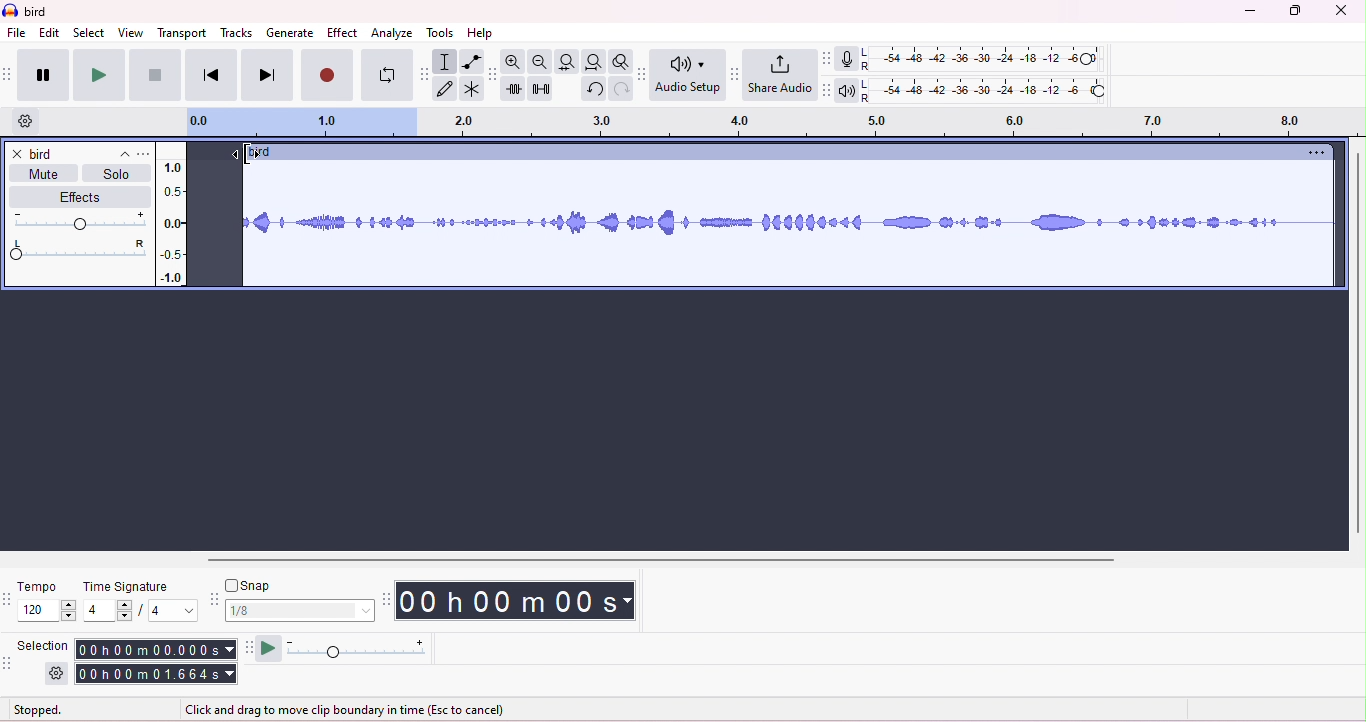 This screenshot has height=722, width=1366. What do you see at coordinates (301, 610) in the screenshot?
I see `select snap` at bounding box center [301, 610].